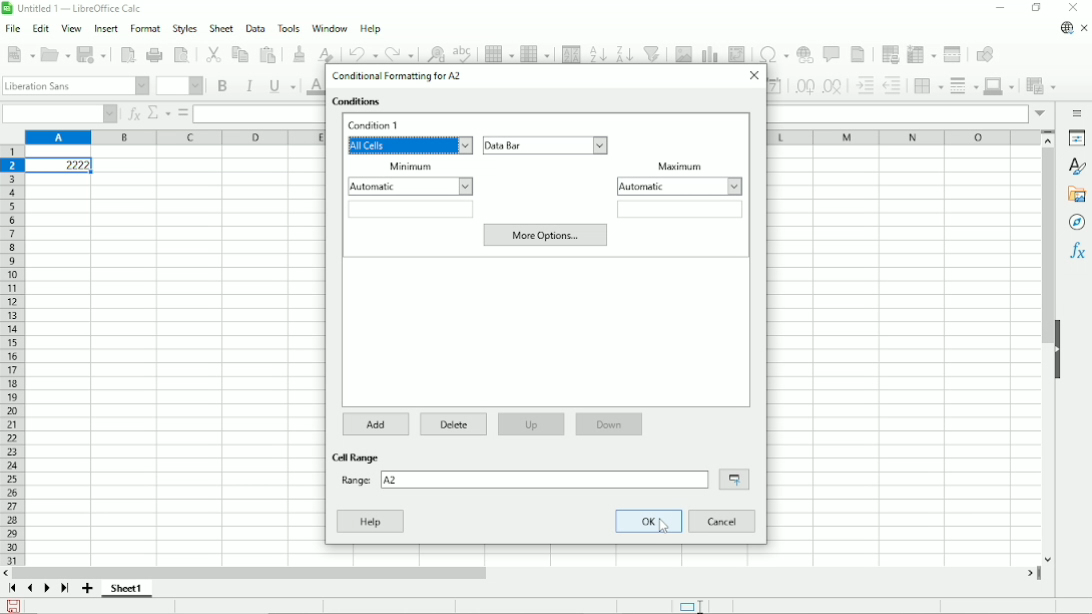 The height and width of the screenshot is (614, 1092). I want to click on Maximum, so click(680, 165).